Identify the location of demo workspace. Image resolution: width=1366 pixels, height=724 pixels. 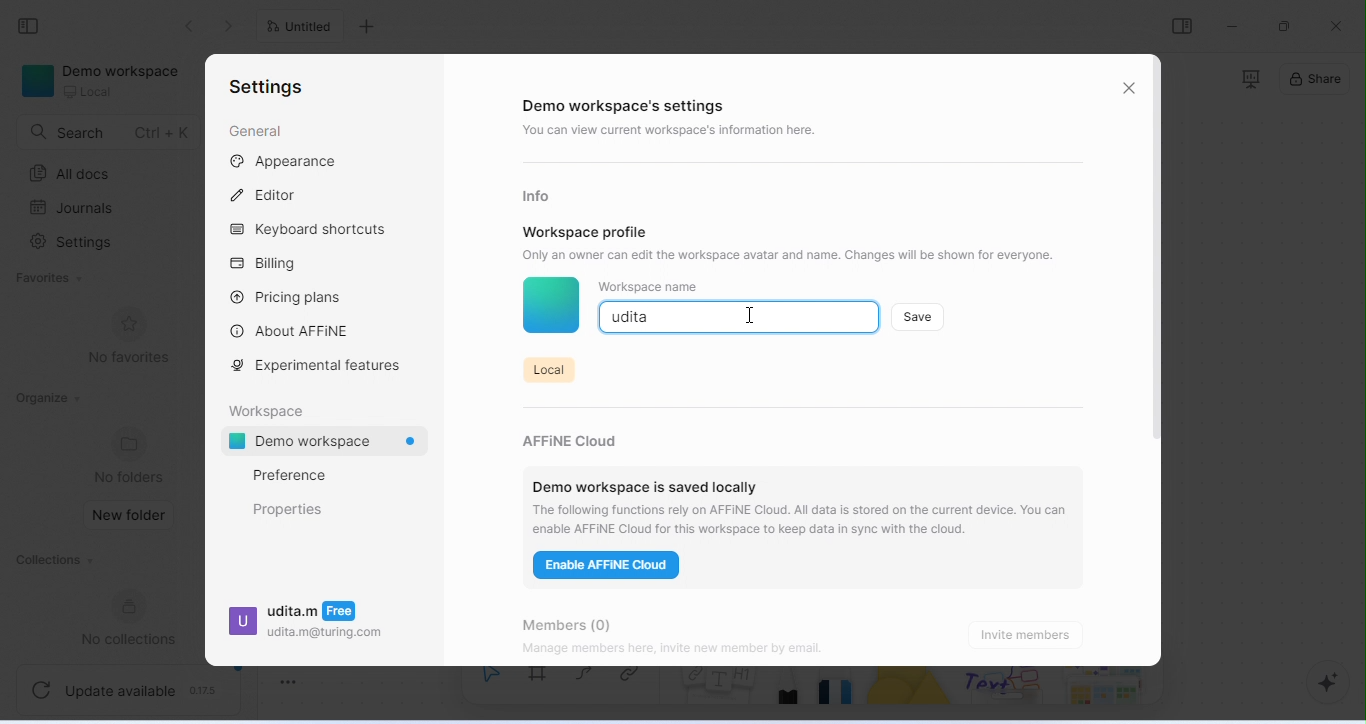
(105, 83).